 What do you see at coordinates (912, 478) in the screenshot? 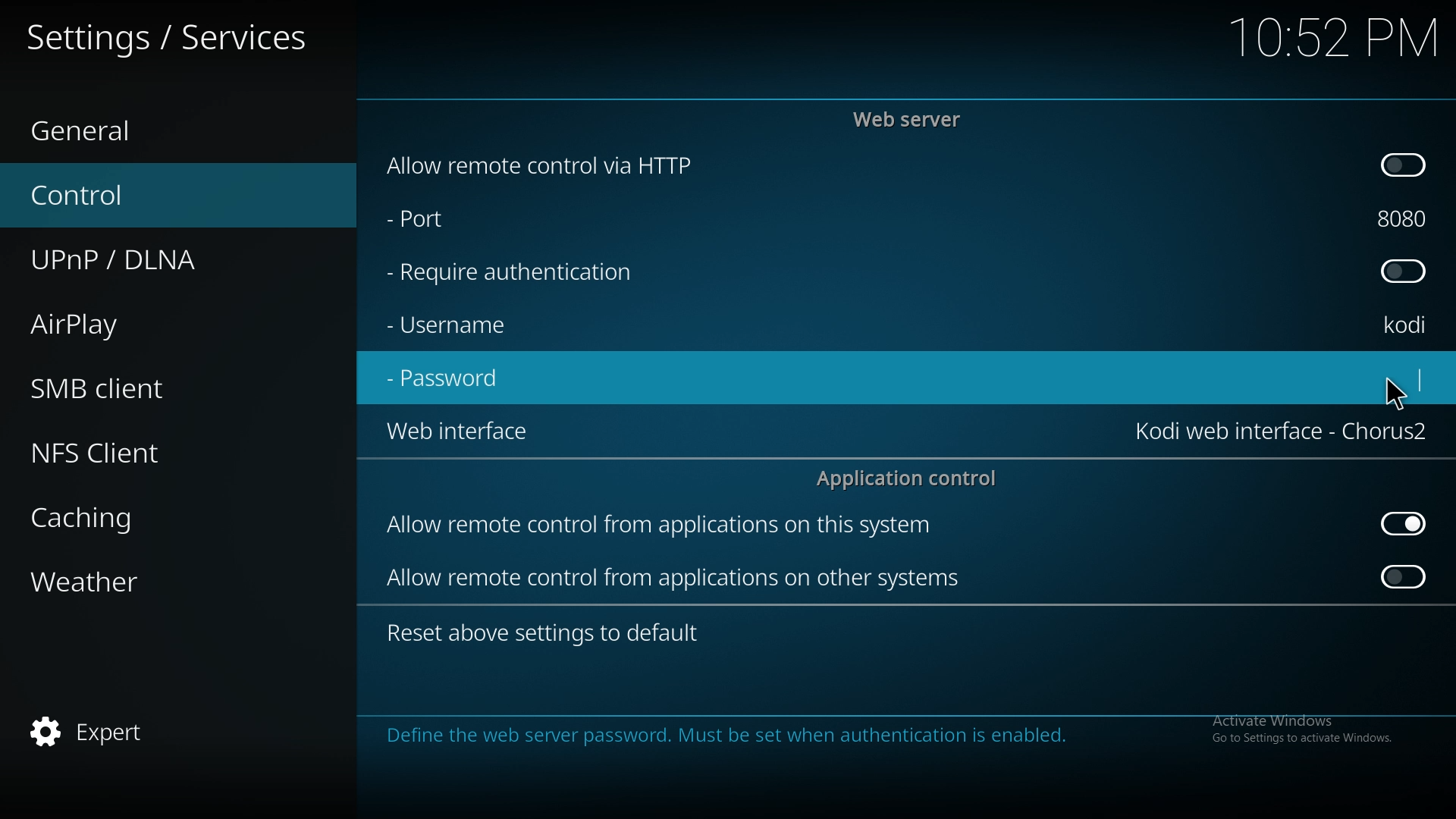
I see `application control` at bounding box center [912, 478].